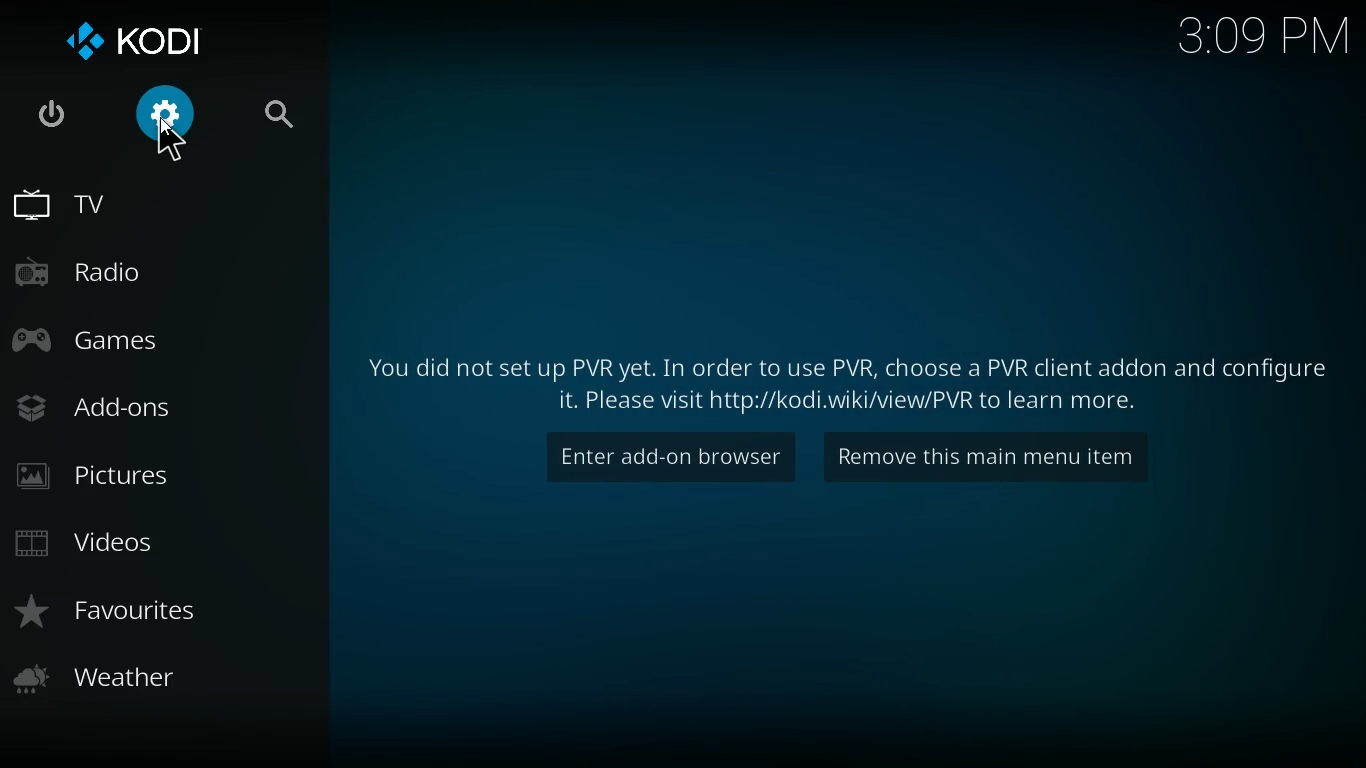 The width and height of the screenshot is (1366, 768). What do you see at coordinates (126, 406) in the screenshot?
I see `add-ons` at bounding box center [126, 406].